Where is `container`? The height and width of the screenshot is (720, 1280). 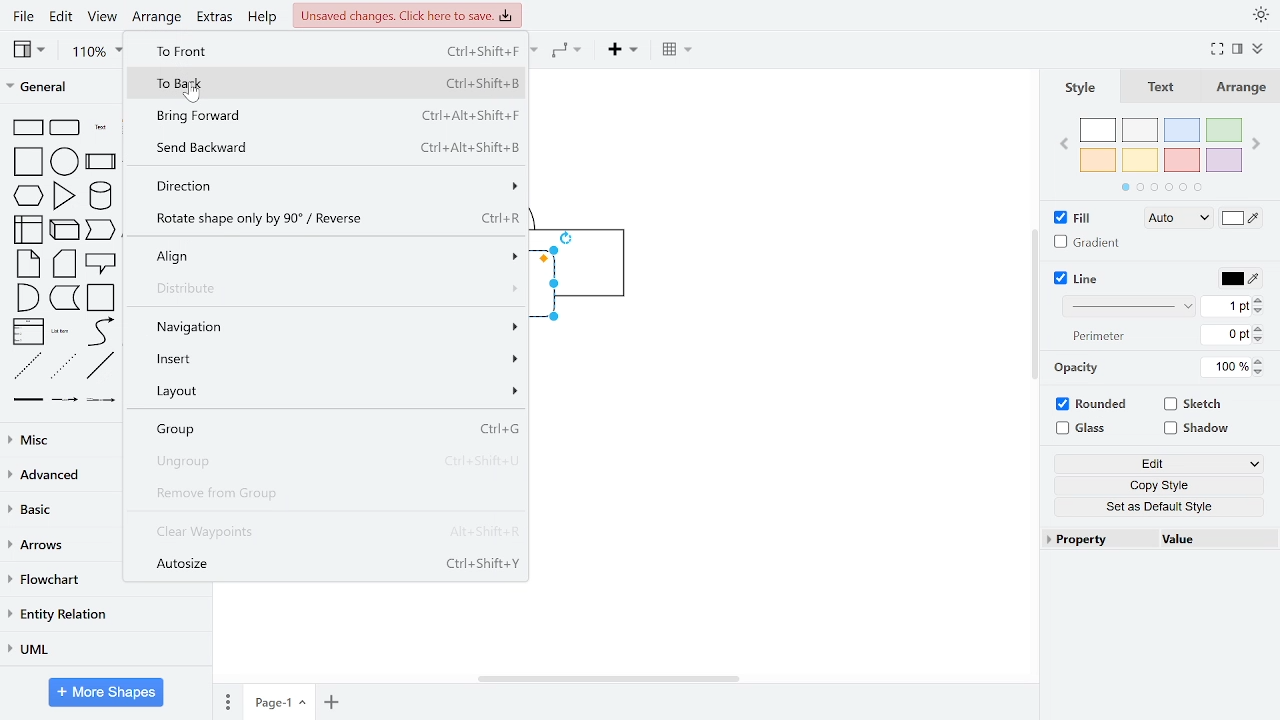
container is located at coordinates (101, 298).